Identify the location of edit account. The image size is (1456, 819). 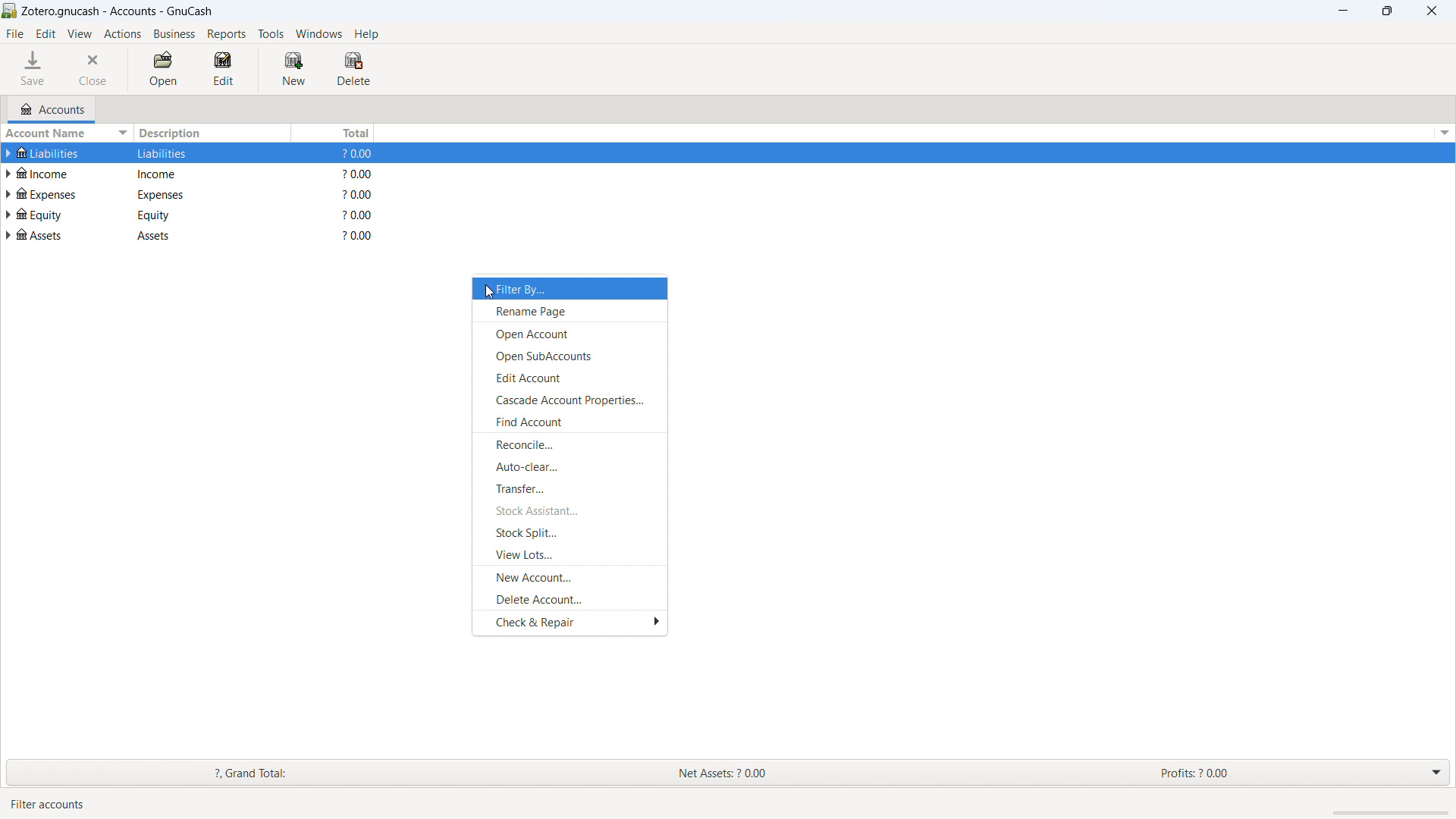
(569, 377).